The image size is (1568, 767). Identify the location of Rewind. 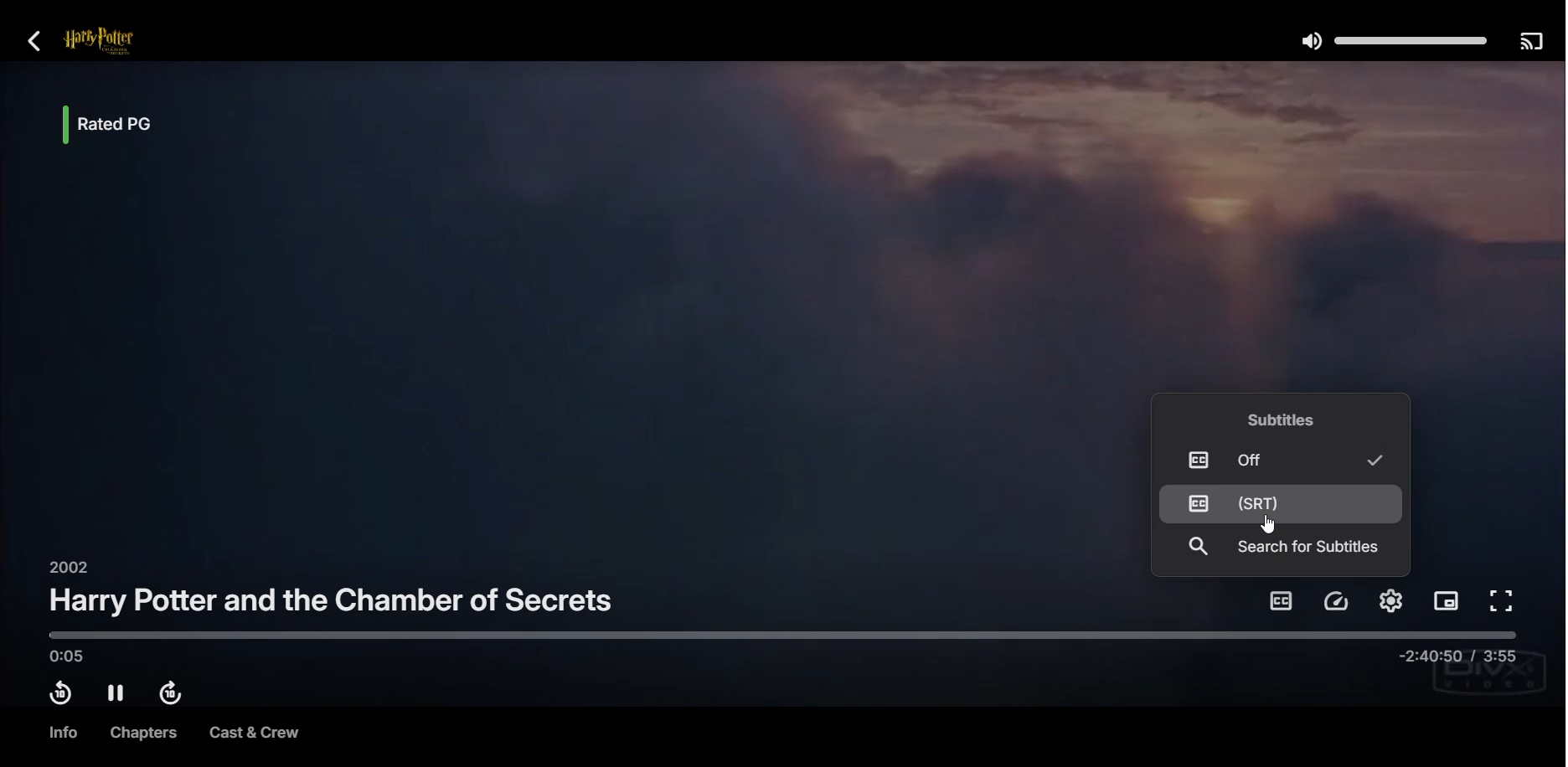
(59, 693).